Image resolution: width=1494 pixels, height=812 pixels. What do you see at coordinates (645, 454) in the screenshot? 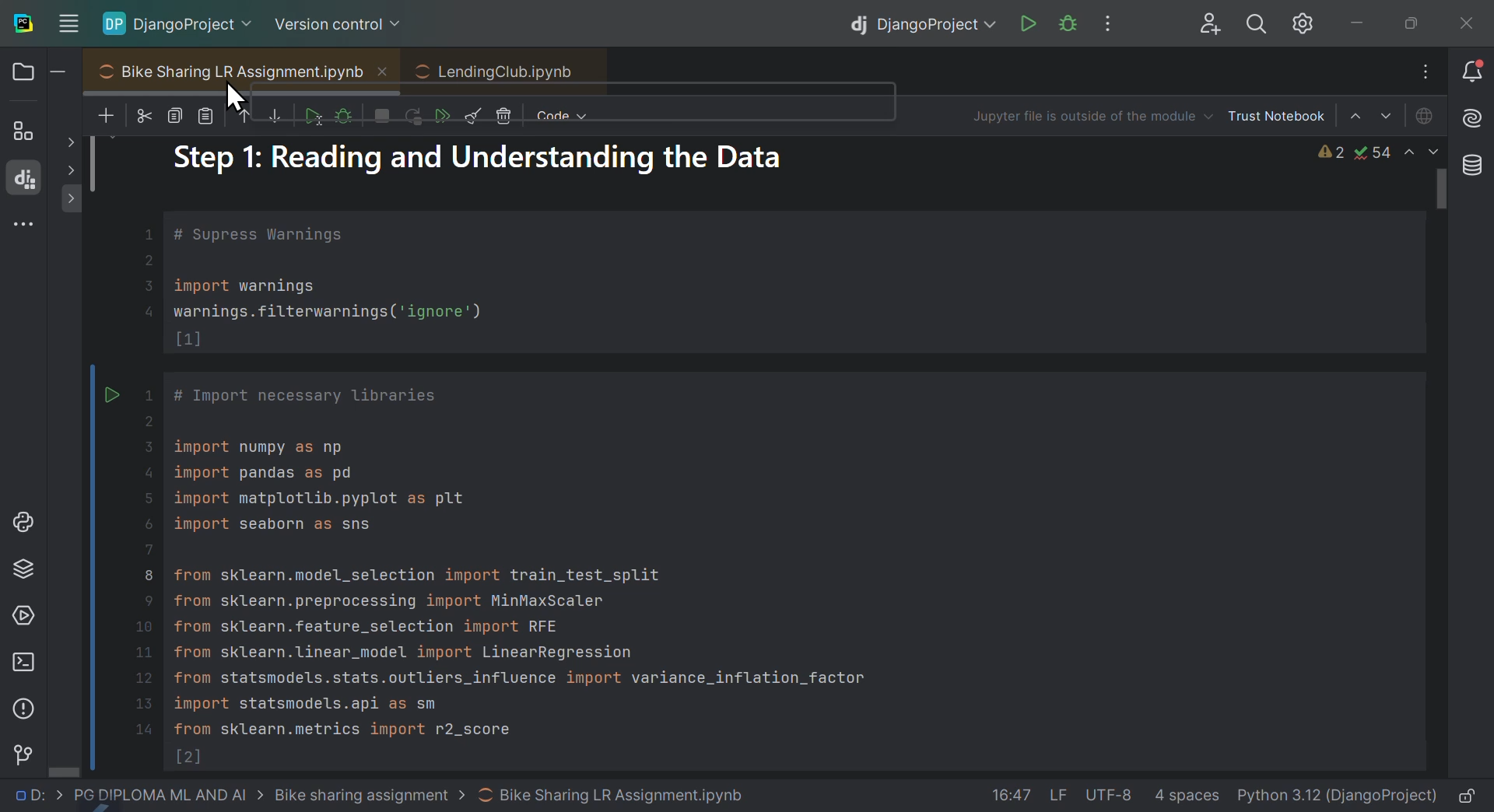
I see `Project code` at bounding box center [645, 454].